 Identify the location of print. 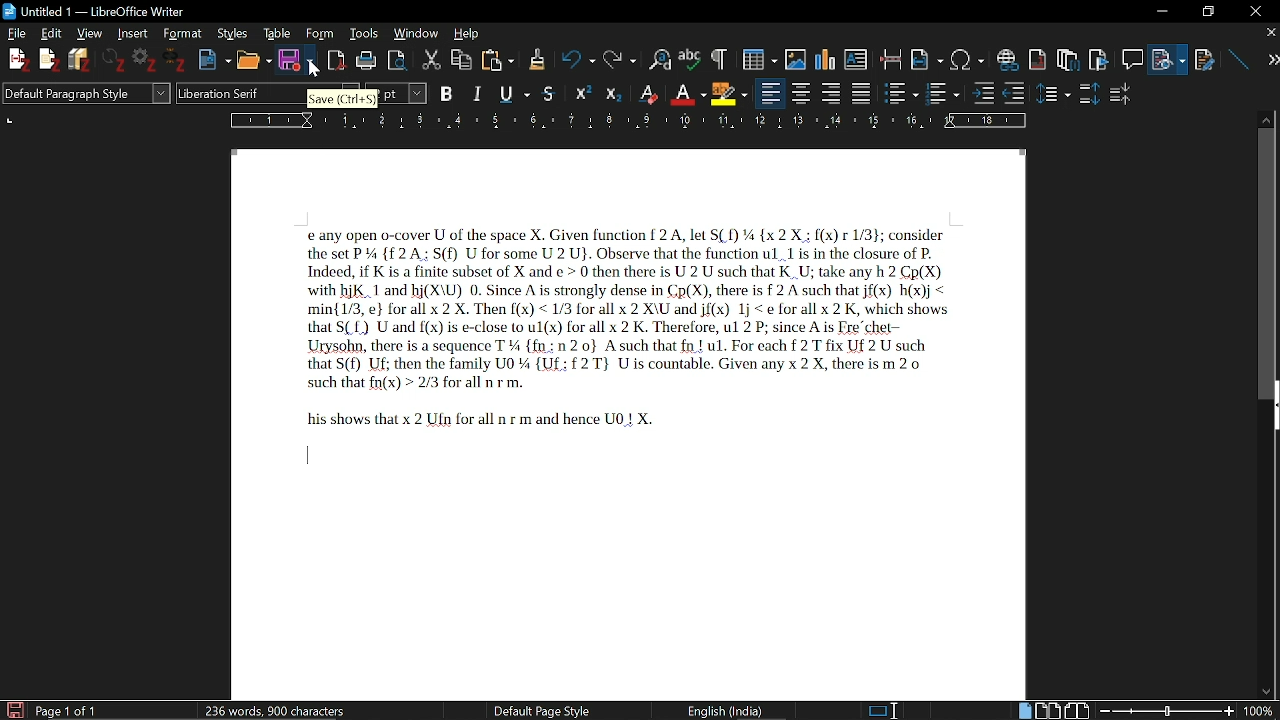
(366, 59).